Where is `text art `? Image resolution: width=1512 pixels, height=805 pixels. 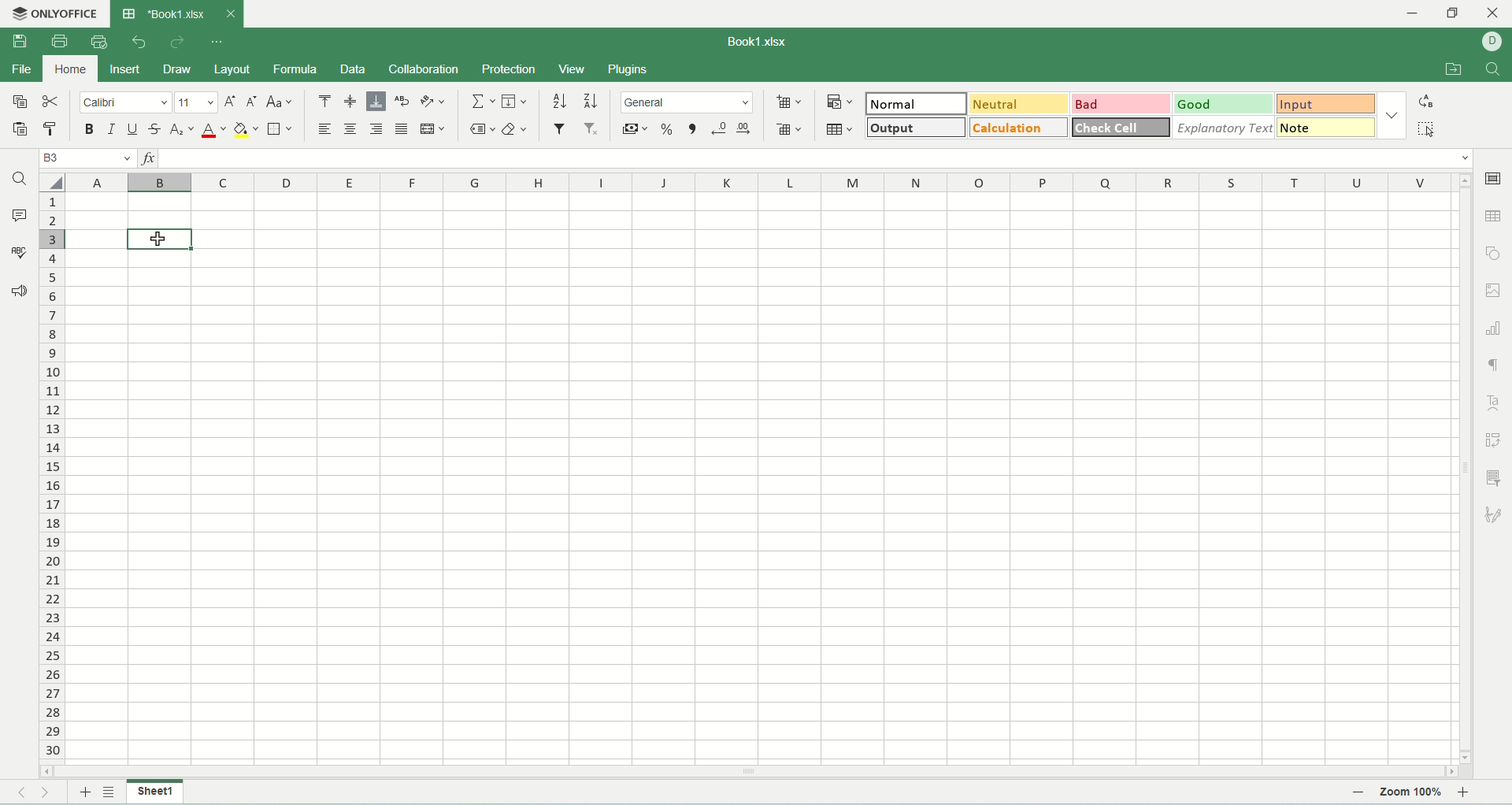 text art  is located at coordinates (1491, 402).